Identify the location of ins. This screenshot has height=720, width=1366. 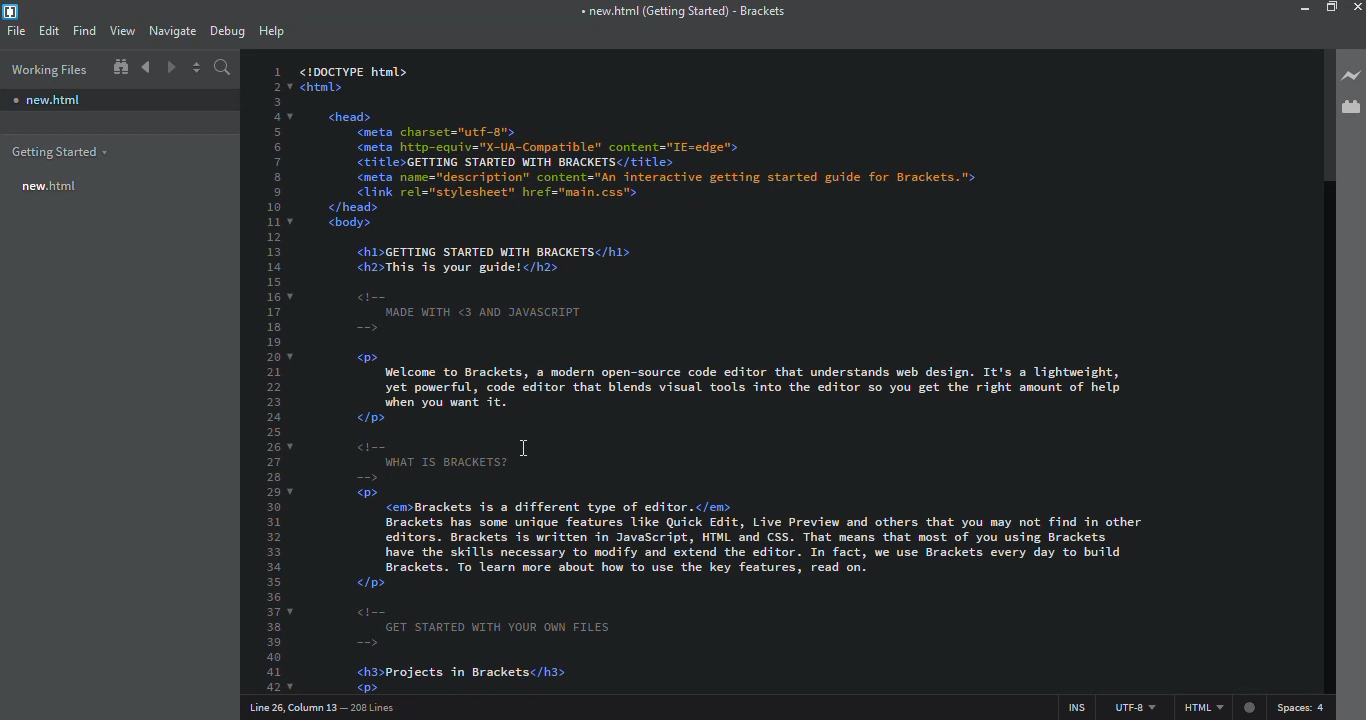
(1070, 704).